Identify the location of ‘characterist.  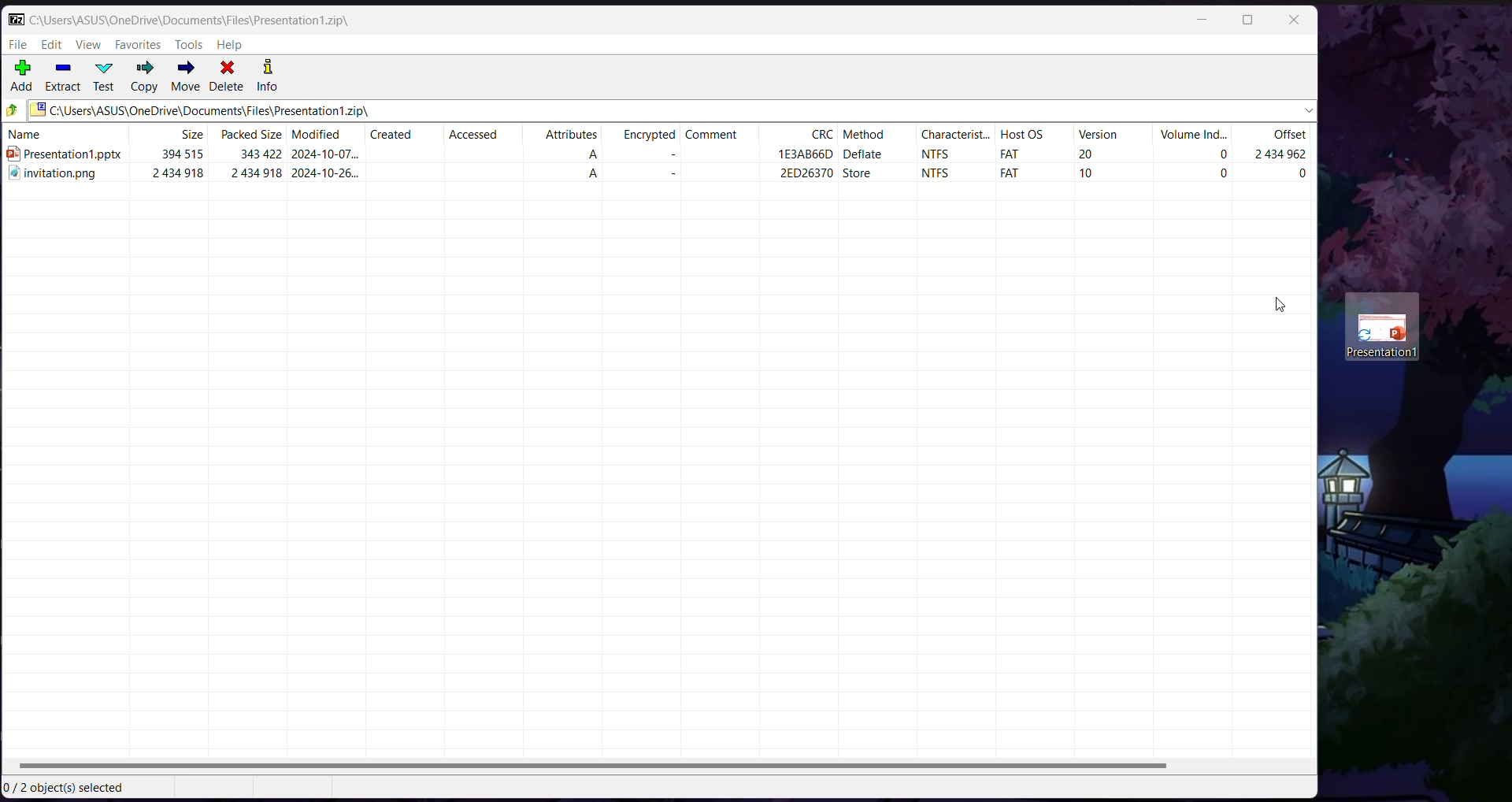
(943, 137).